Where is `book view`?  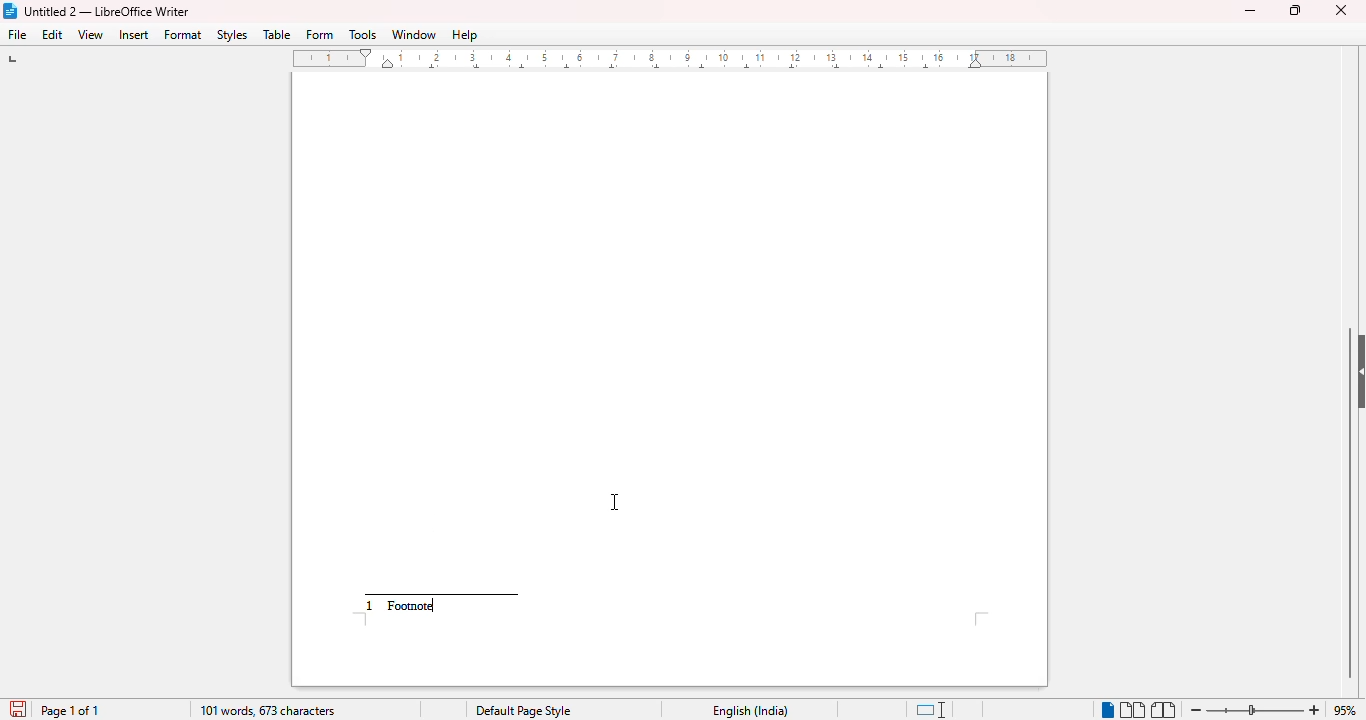
book view is located at coordinates (1162, 709).